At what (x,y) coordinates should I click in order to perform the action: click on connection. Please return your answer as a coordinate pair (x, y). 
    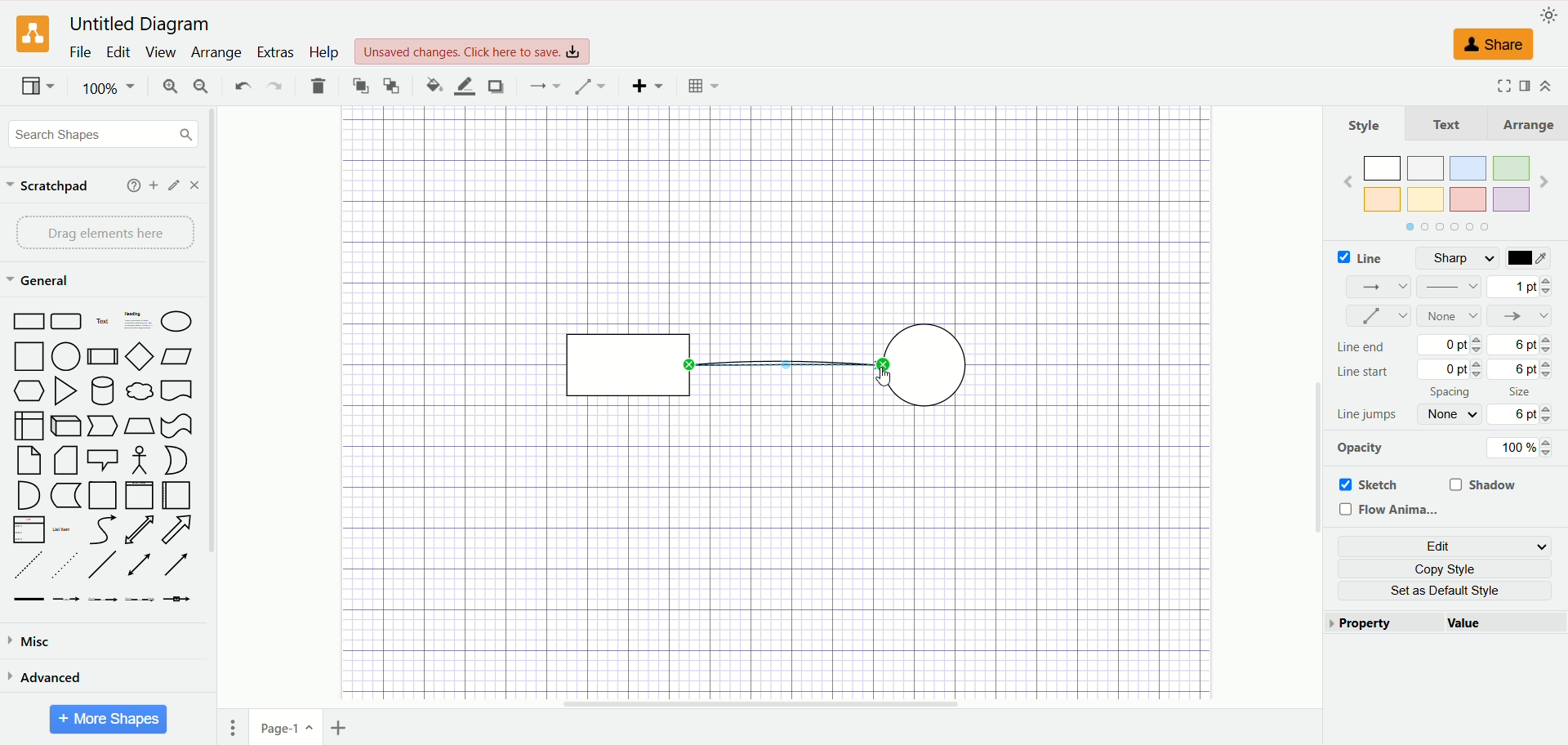
    Looking at the image, I should click on (545, 85).